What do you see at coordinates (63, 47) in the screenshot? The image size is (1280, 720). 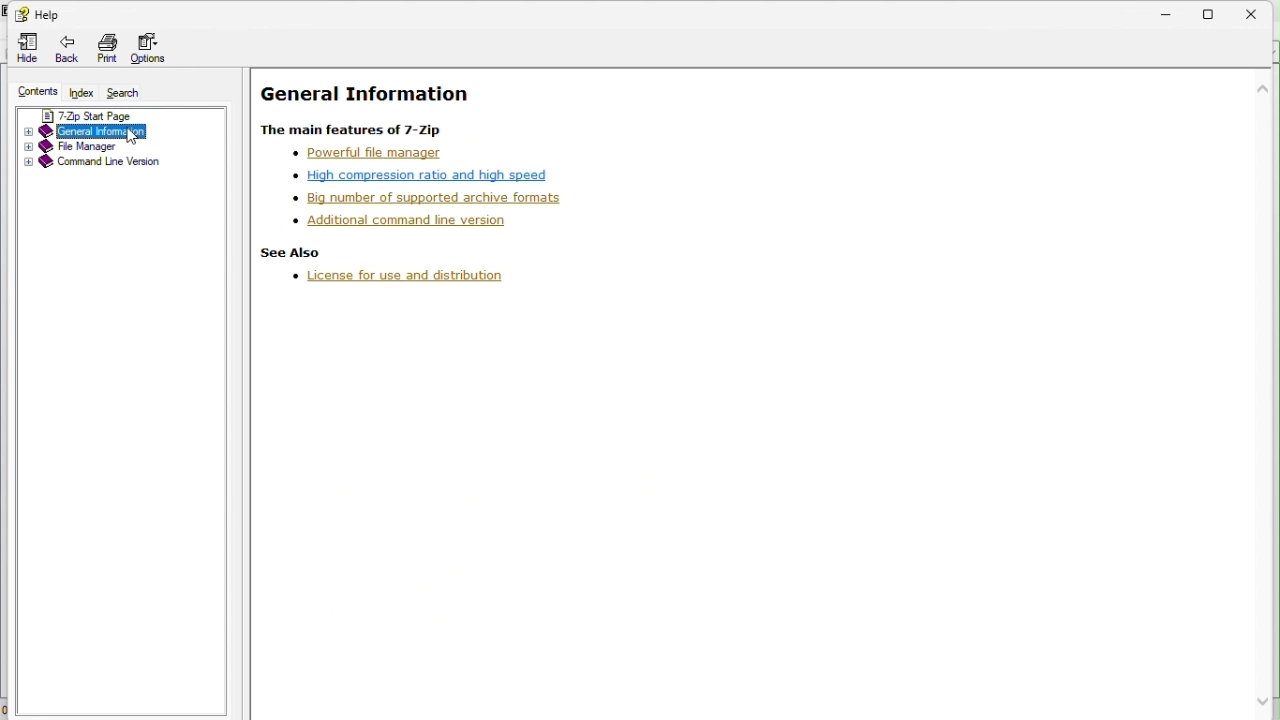 I see `Back` at bounding box center [63, 47].